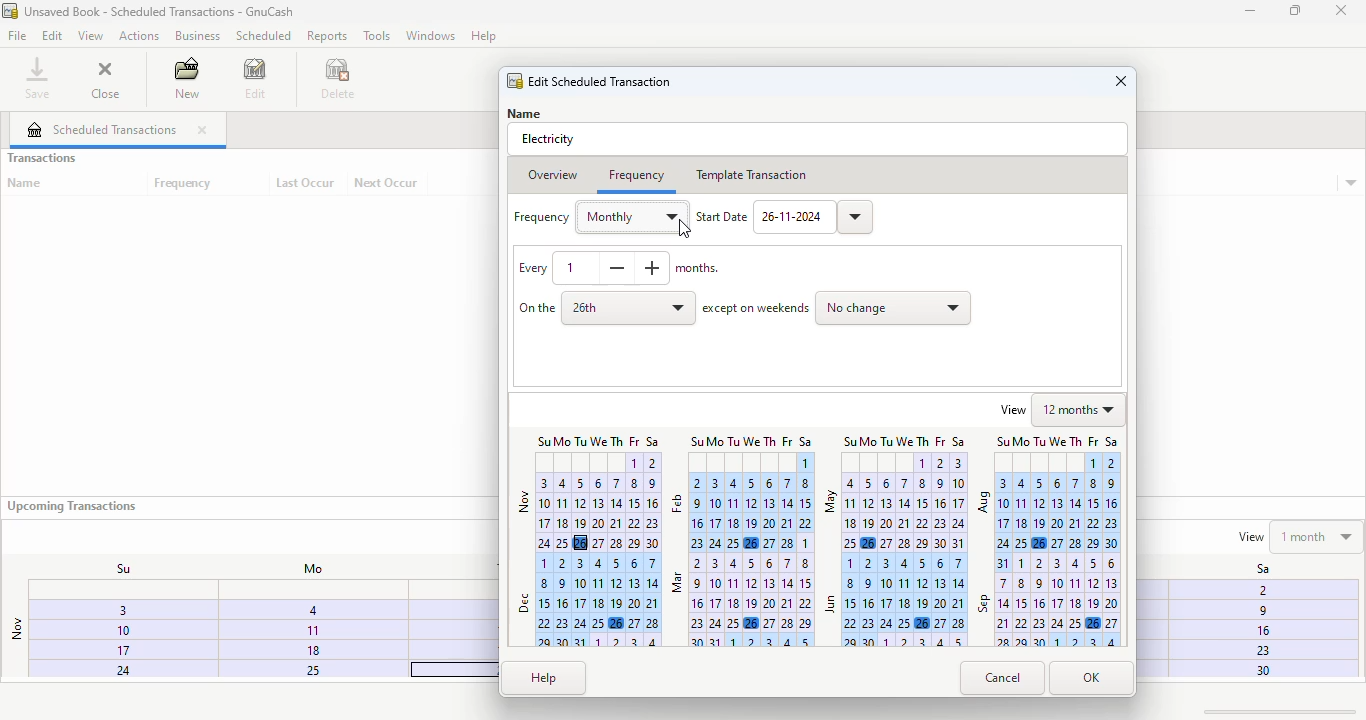  Describe the element at coordinates (184, 184) in the screenshot. I see `frequency` at that location.